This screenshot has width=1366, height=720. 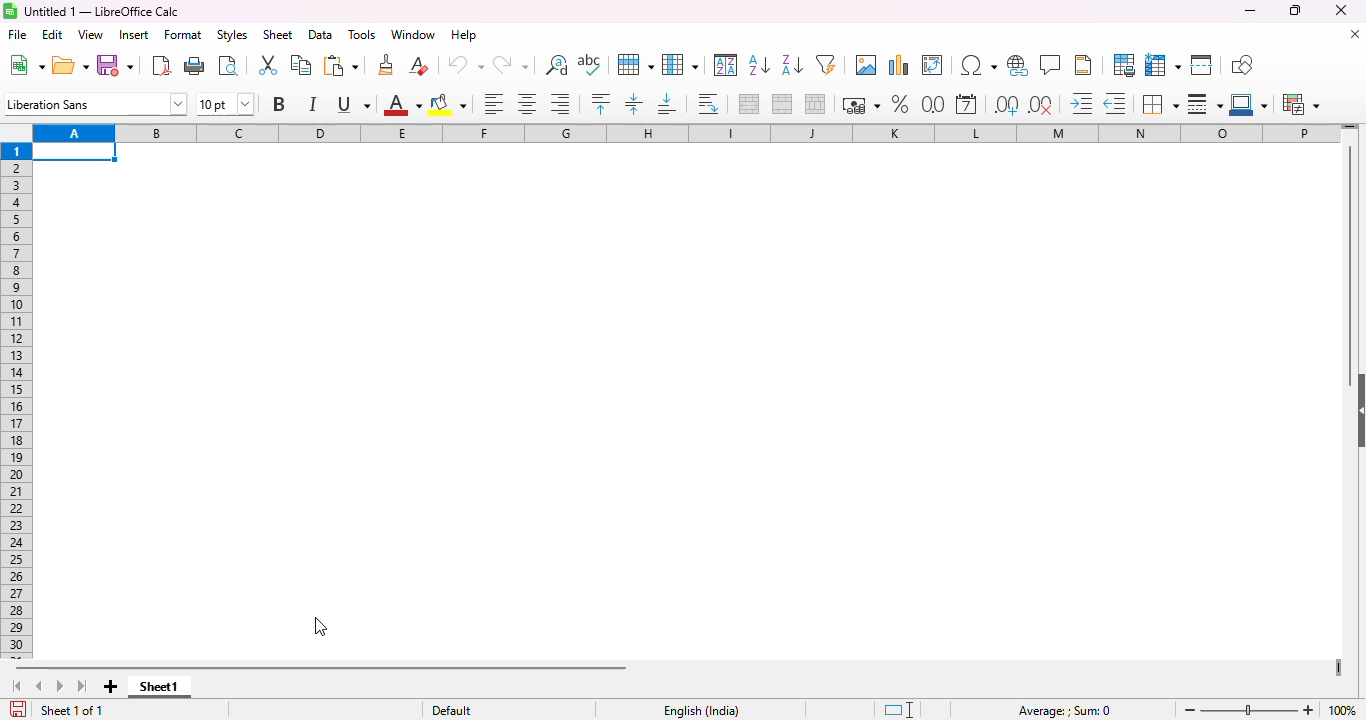 I want to click on add decimal, so click(x=1007, y=104).